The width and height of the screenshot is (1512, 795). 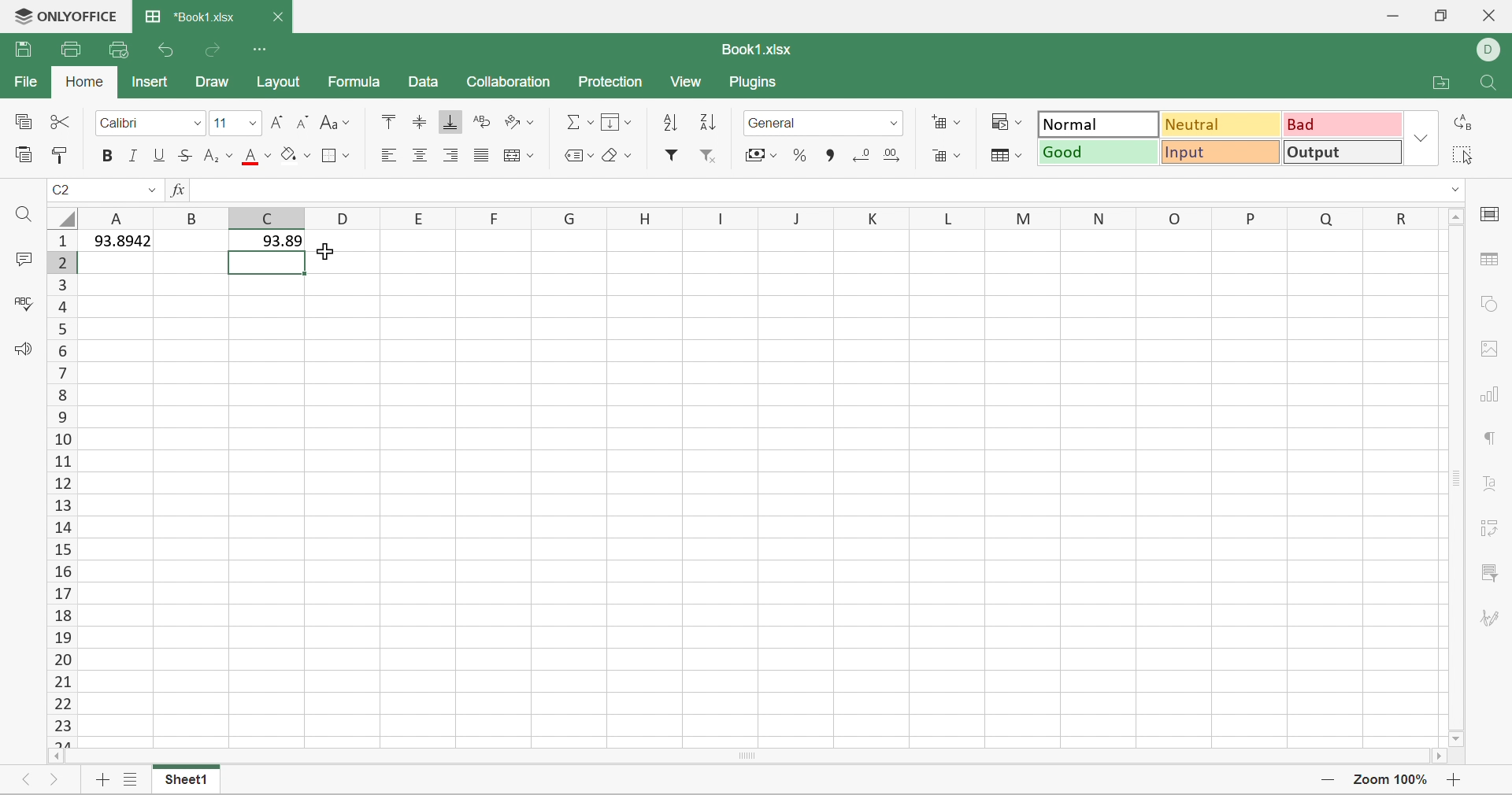 What do you see at coordinates (133, 154) in the screenshot?
I see `Italic` at bounding box center [133, 154].